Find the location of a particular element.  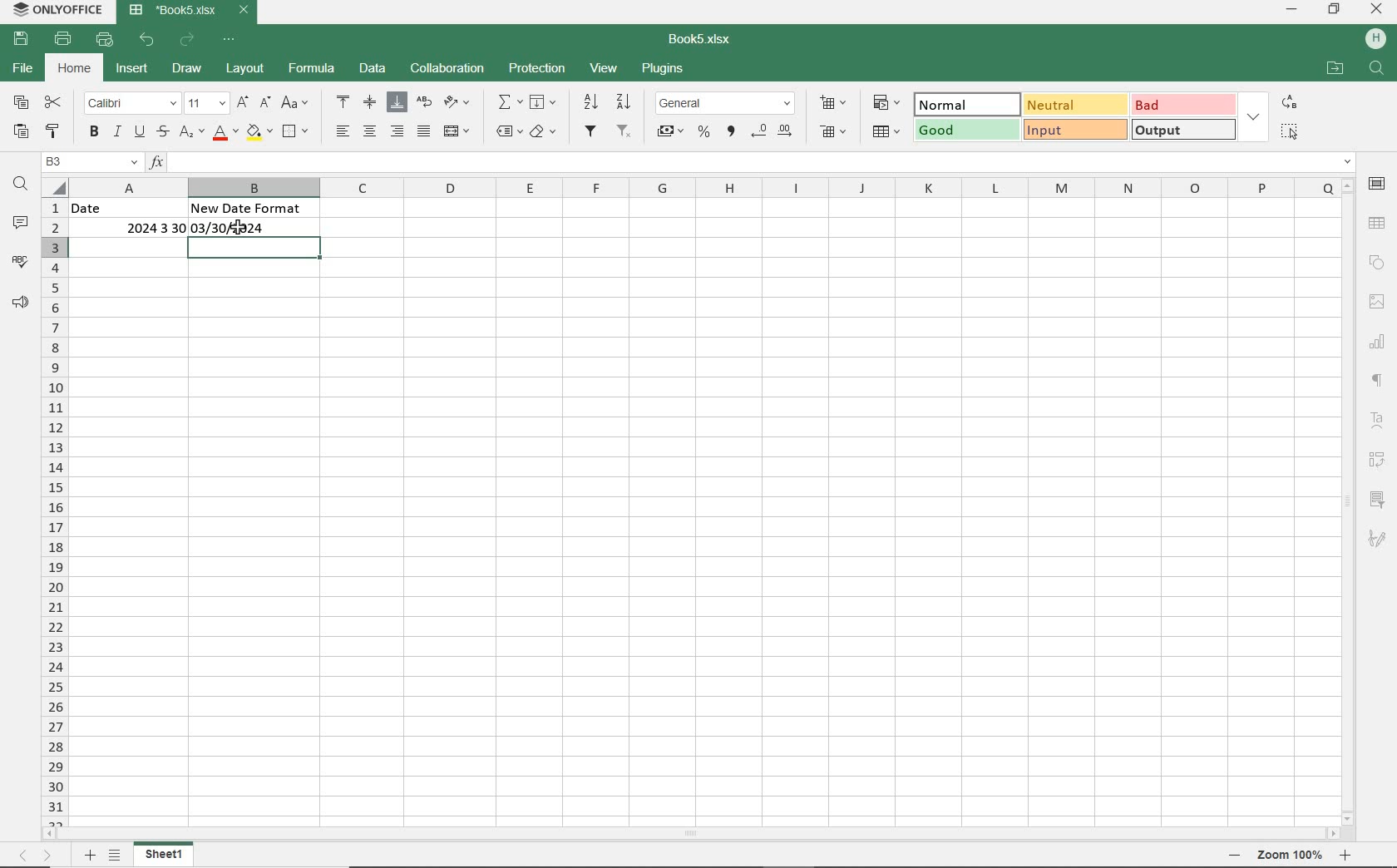

SUBSCRIPT/SUPERSCRIPT is located at coordinates (192, 133).